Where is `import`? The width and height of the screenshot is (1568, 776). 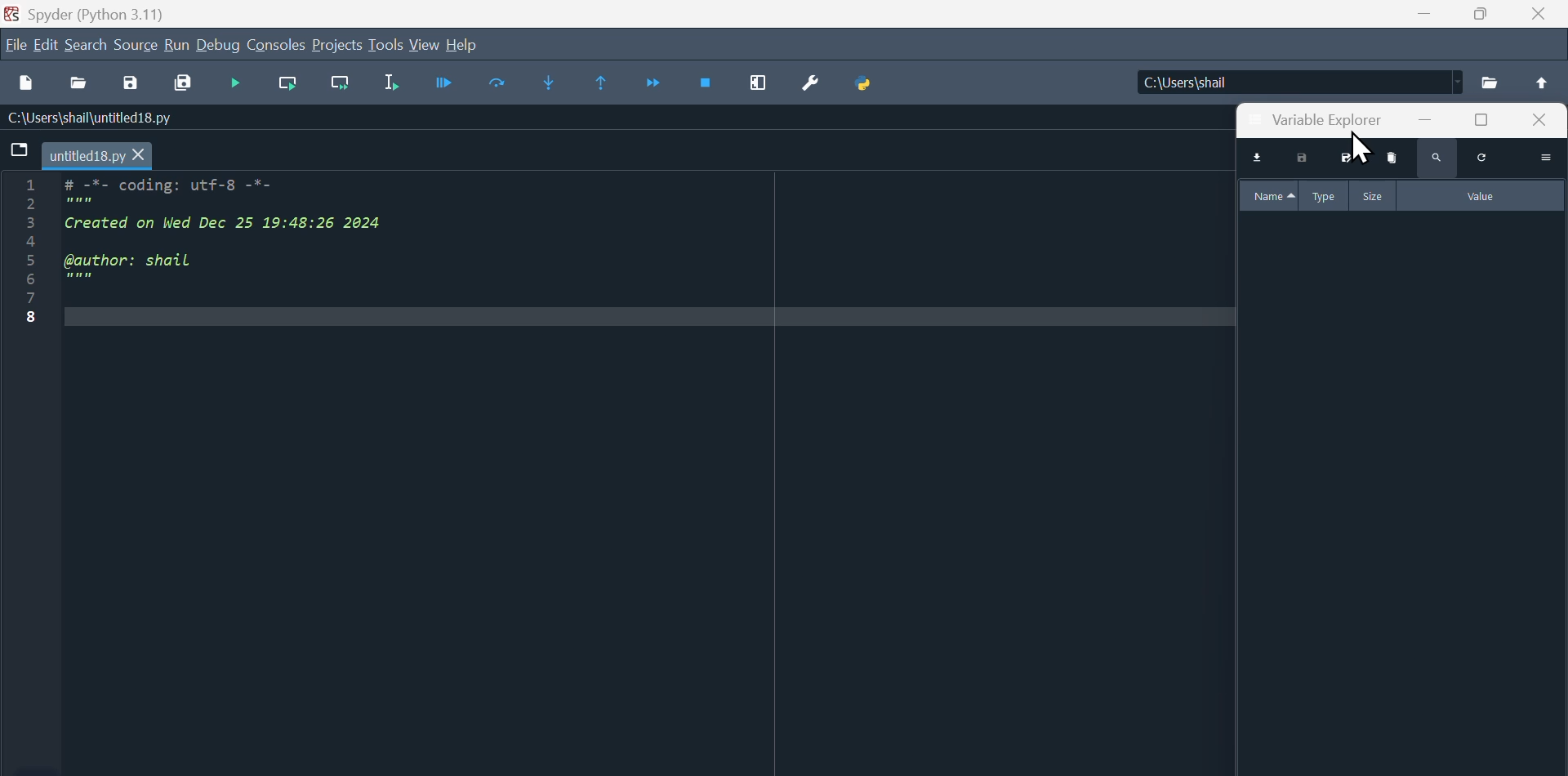
import is located at coordinates (1256, 159).